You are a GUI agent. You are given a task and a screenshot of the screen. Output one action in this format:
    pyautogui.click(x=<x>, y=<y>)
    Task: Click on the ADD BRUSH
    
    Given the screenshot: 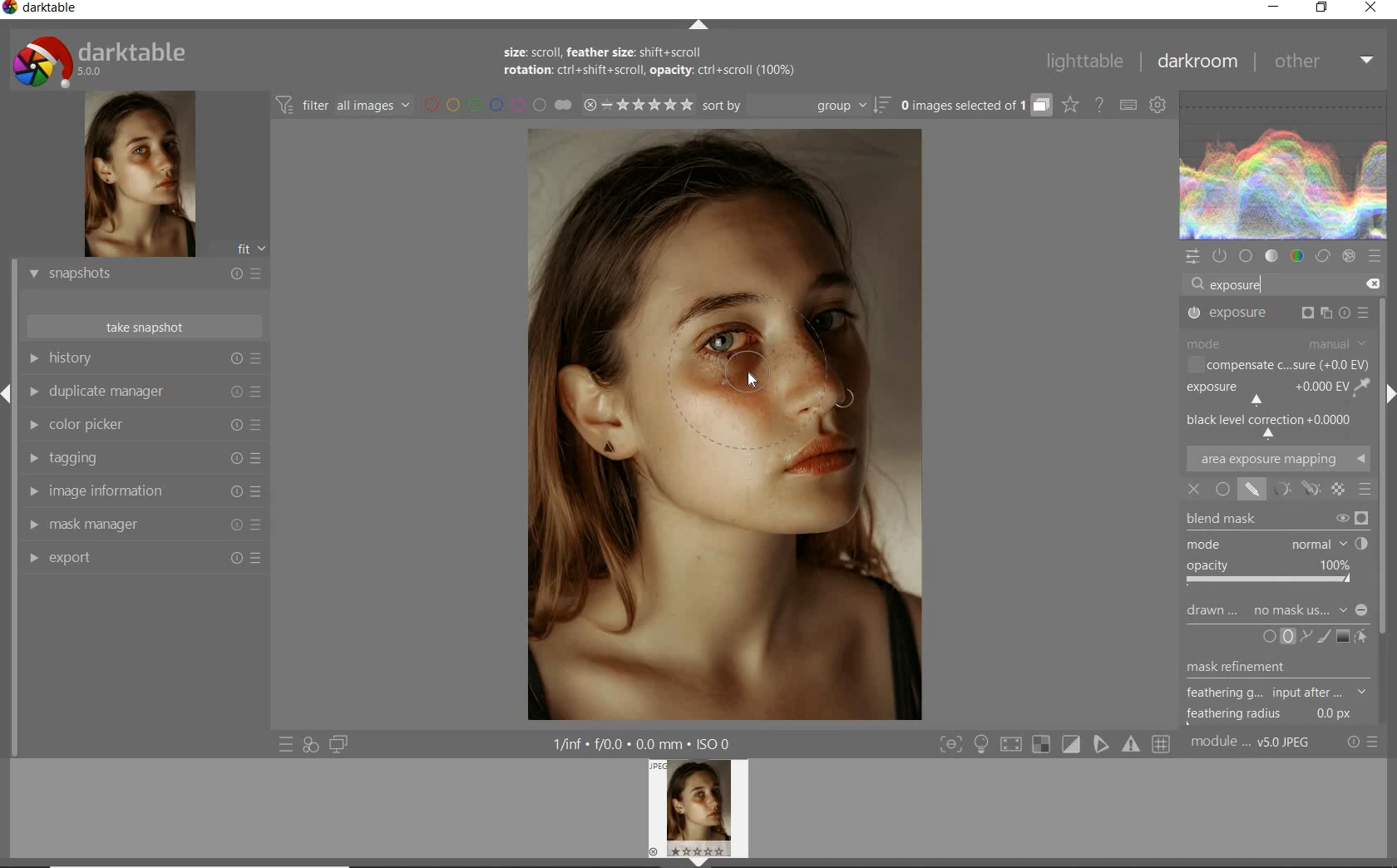 What is the action you would take?
    pyautogui.click(x=1324, y=638)
    